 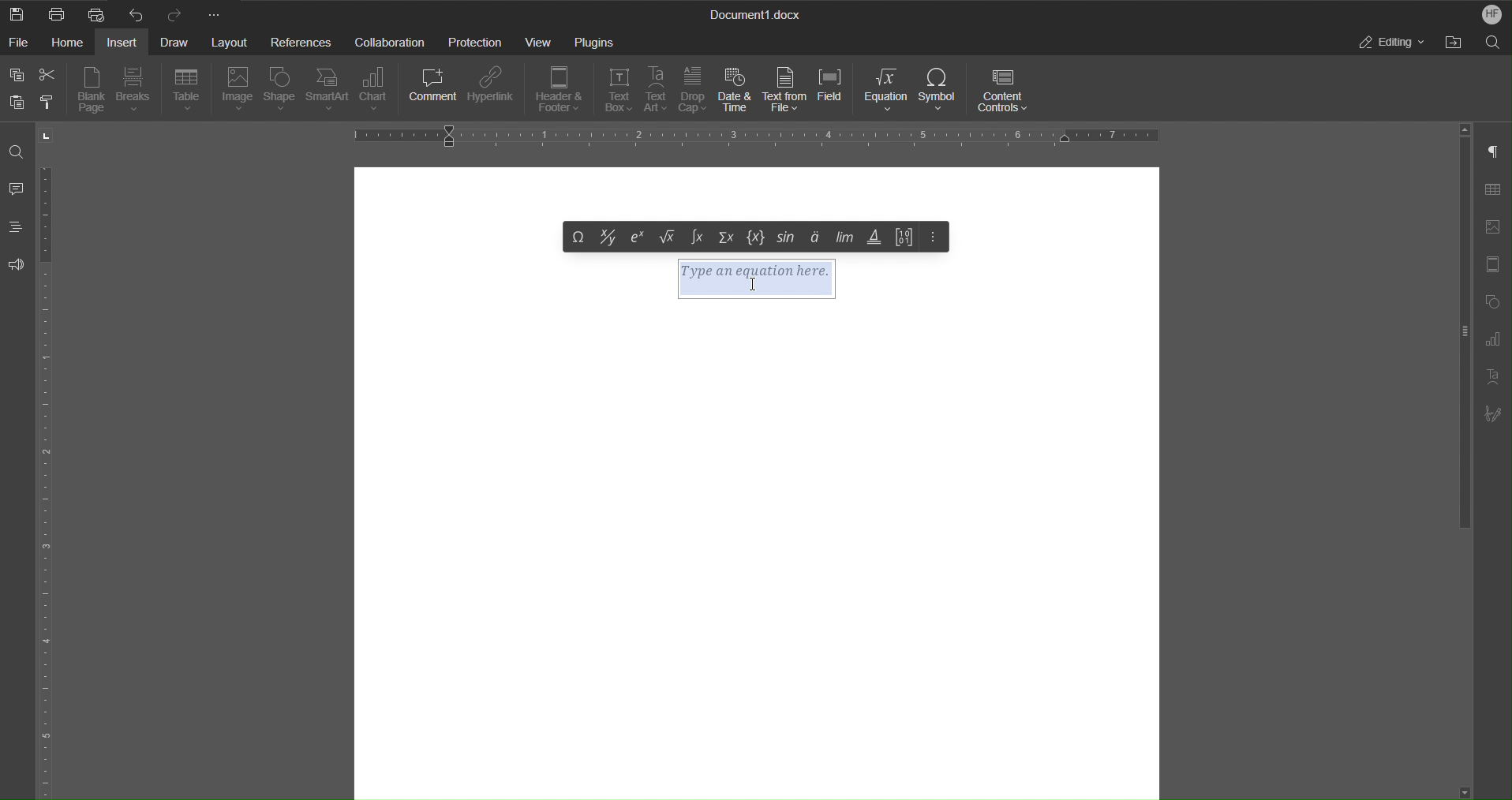 What do you see at coordinates (541, 40) in the screenshot?
I see `View` at bounding box center [541, 40].